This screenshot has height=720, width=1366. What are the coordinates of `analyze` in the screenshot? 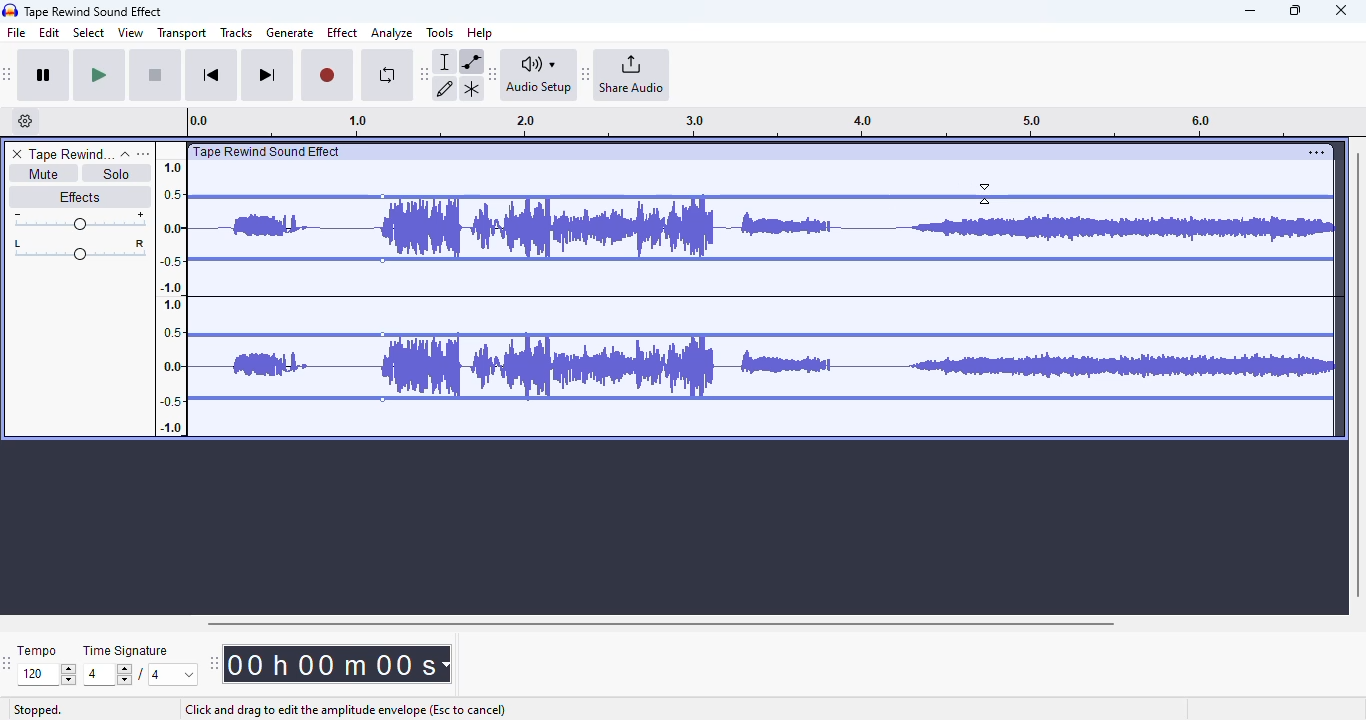 It's located at (392, 33).